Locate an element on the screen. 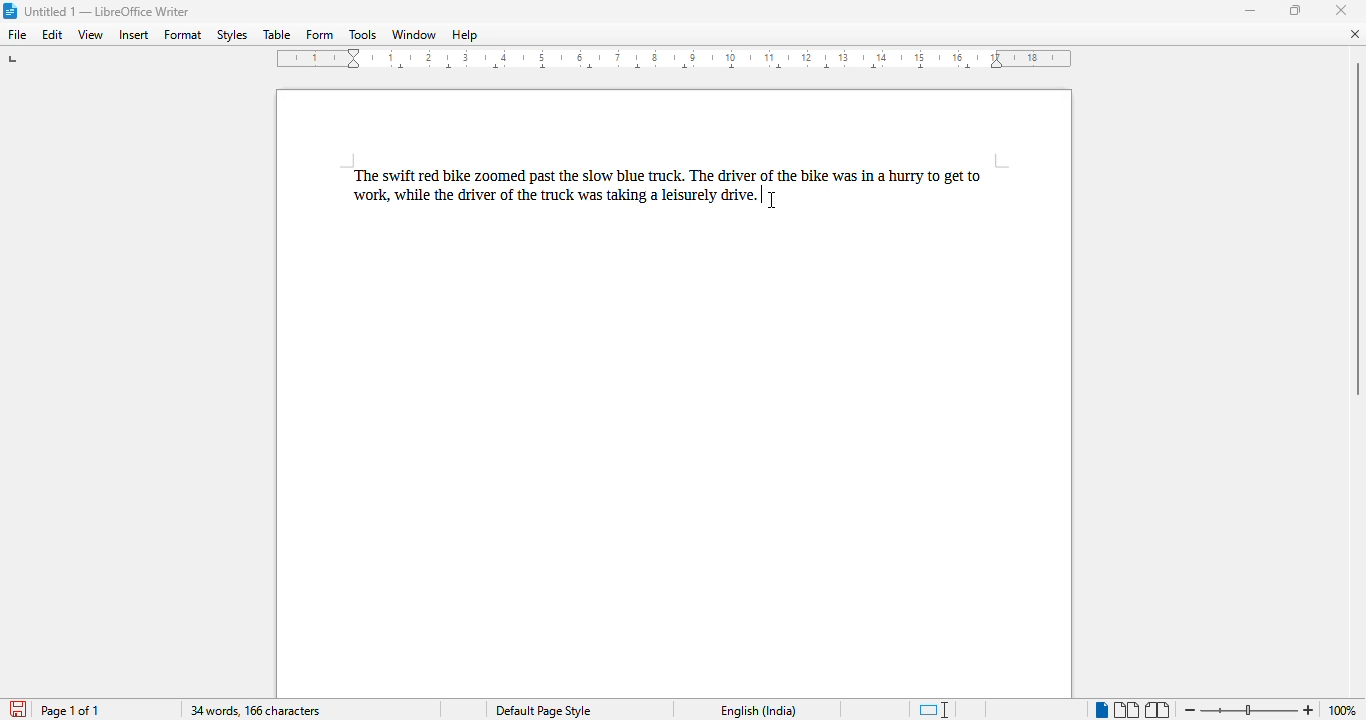 This screenshot has height=720, width=1366. 34 words, 166 characters is located at coordinates (255, 711).